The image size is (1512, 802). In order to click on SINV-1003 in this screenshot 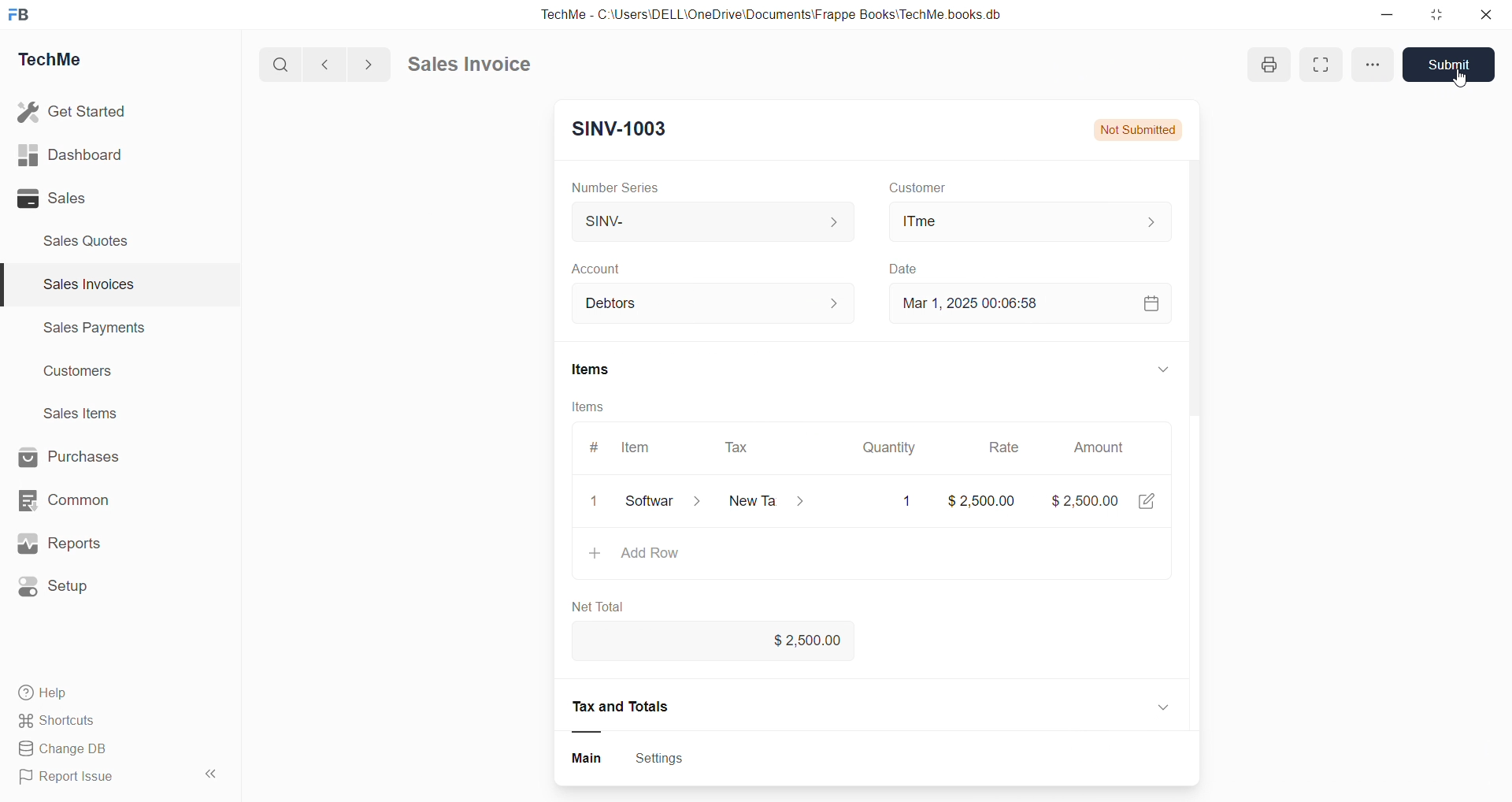, I will do `click(625, 132)`.